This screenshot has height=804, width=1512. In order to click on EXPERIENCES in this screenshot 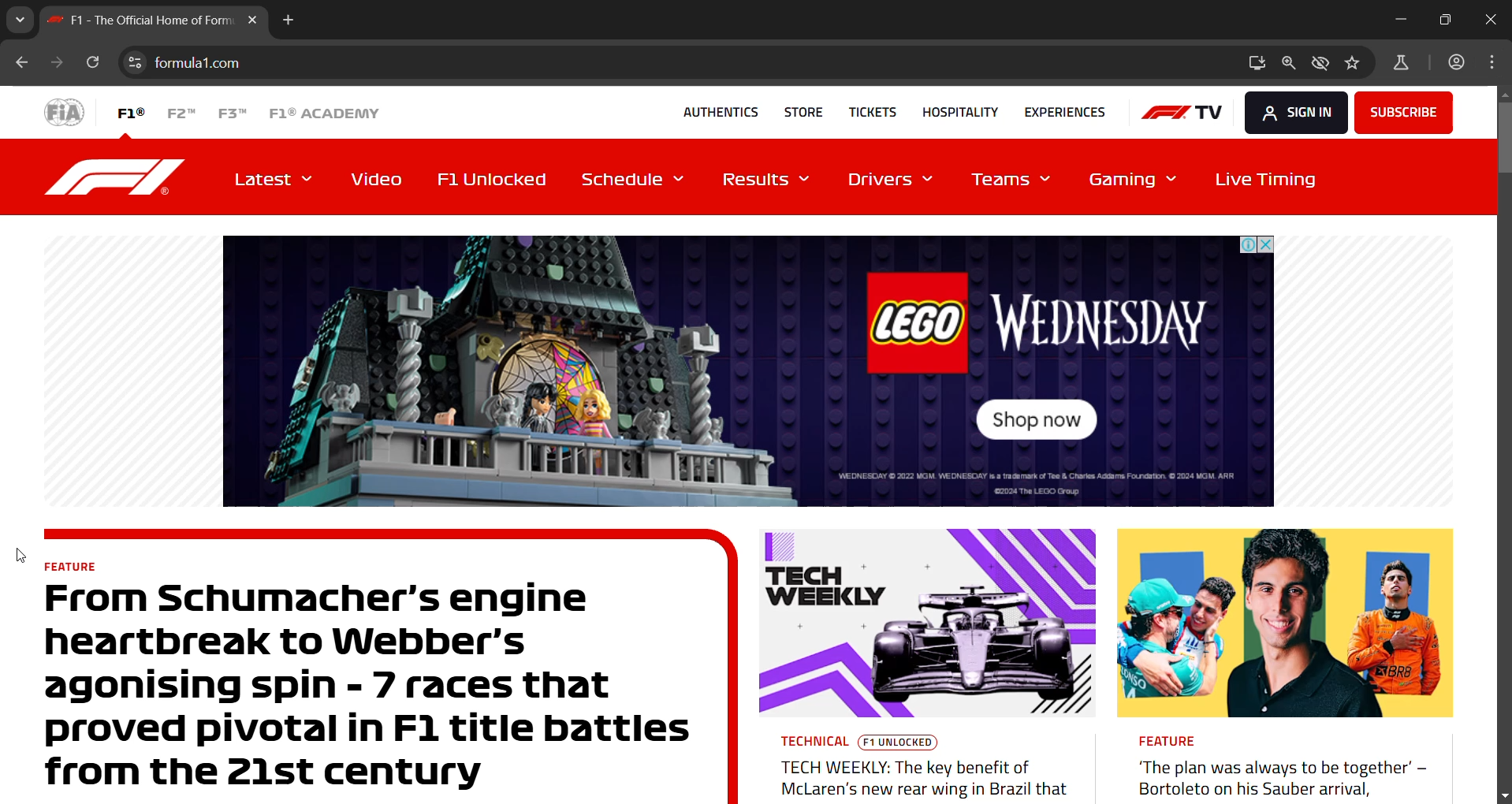, I will do `click(1065, 112)`.